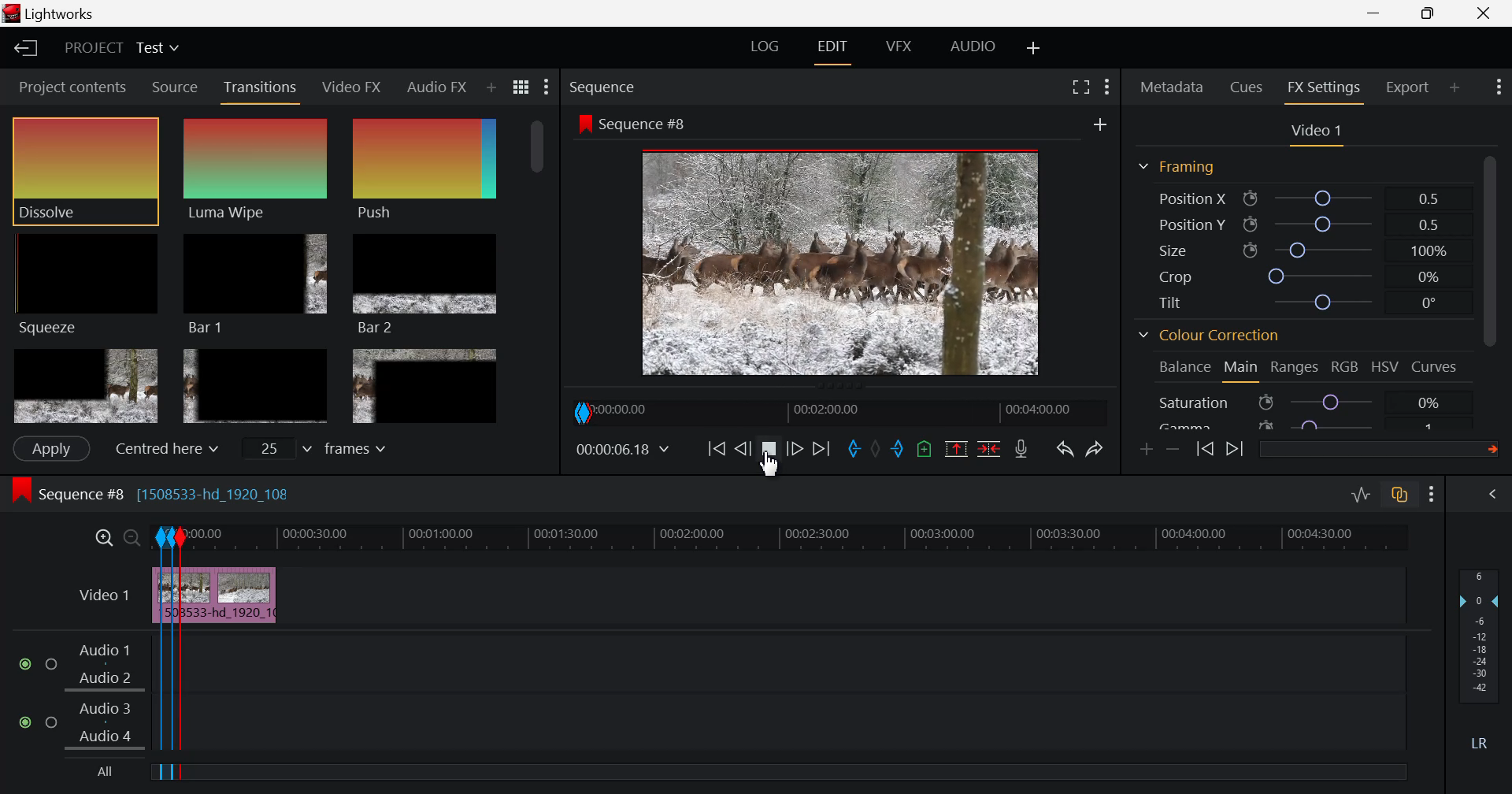 Image resolution: width=1512 pixels, height=794 pixels. Describe the element at coordinates (100, 598) in the screenshot. I see `Video Layer Input` at that location.